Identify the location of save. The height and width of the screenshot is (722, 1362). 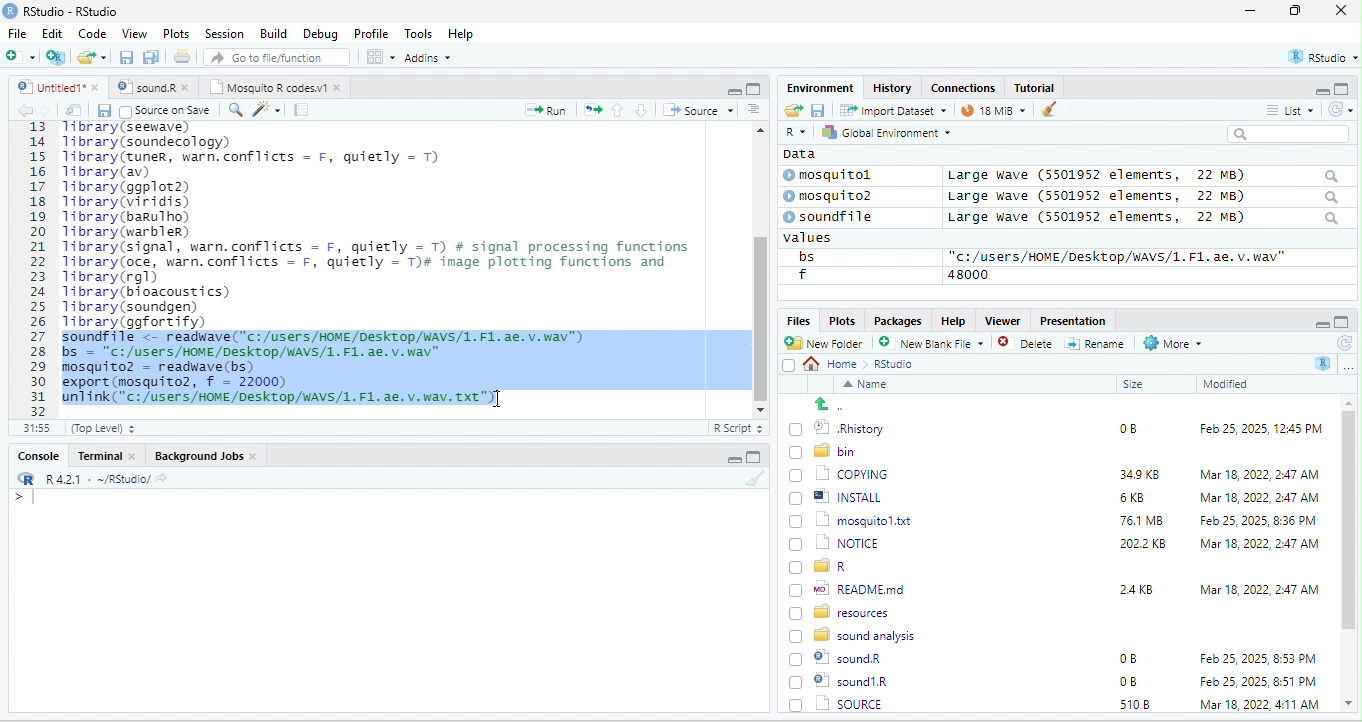
(128, 58).